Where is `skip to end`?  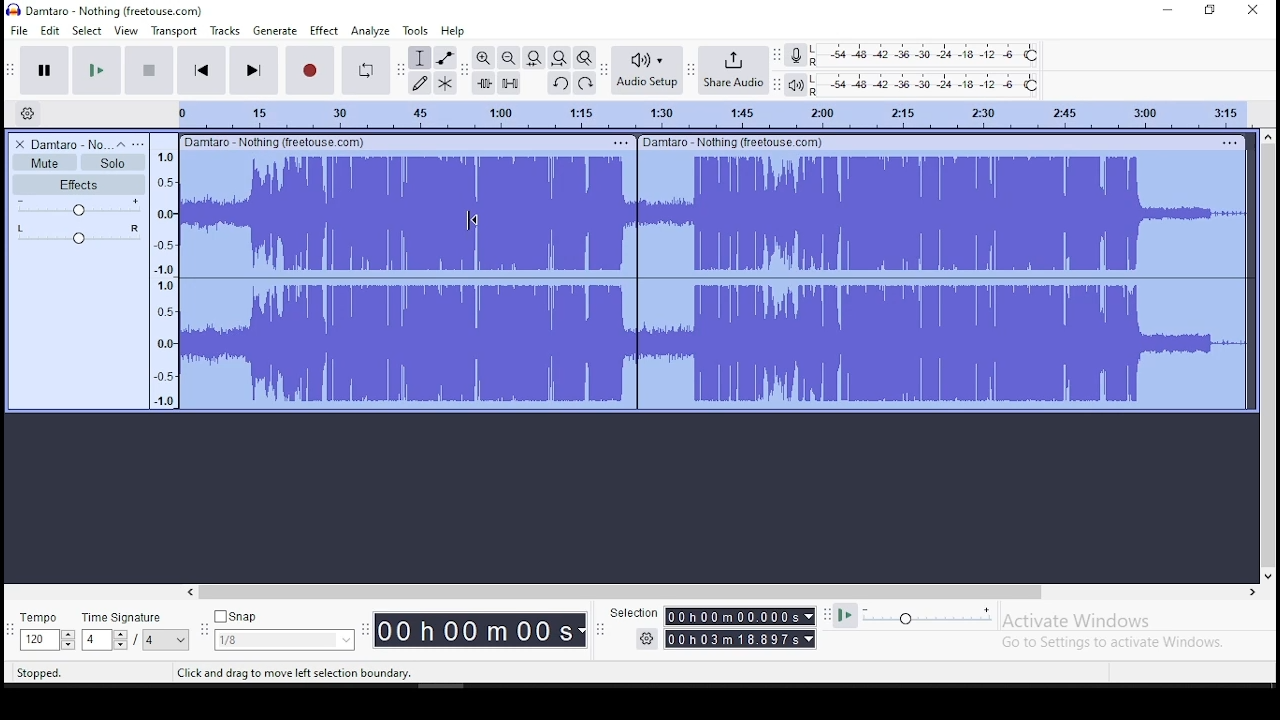
skip to end is located at coordinates (252, 69).